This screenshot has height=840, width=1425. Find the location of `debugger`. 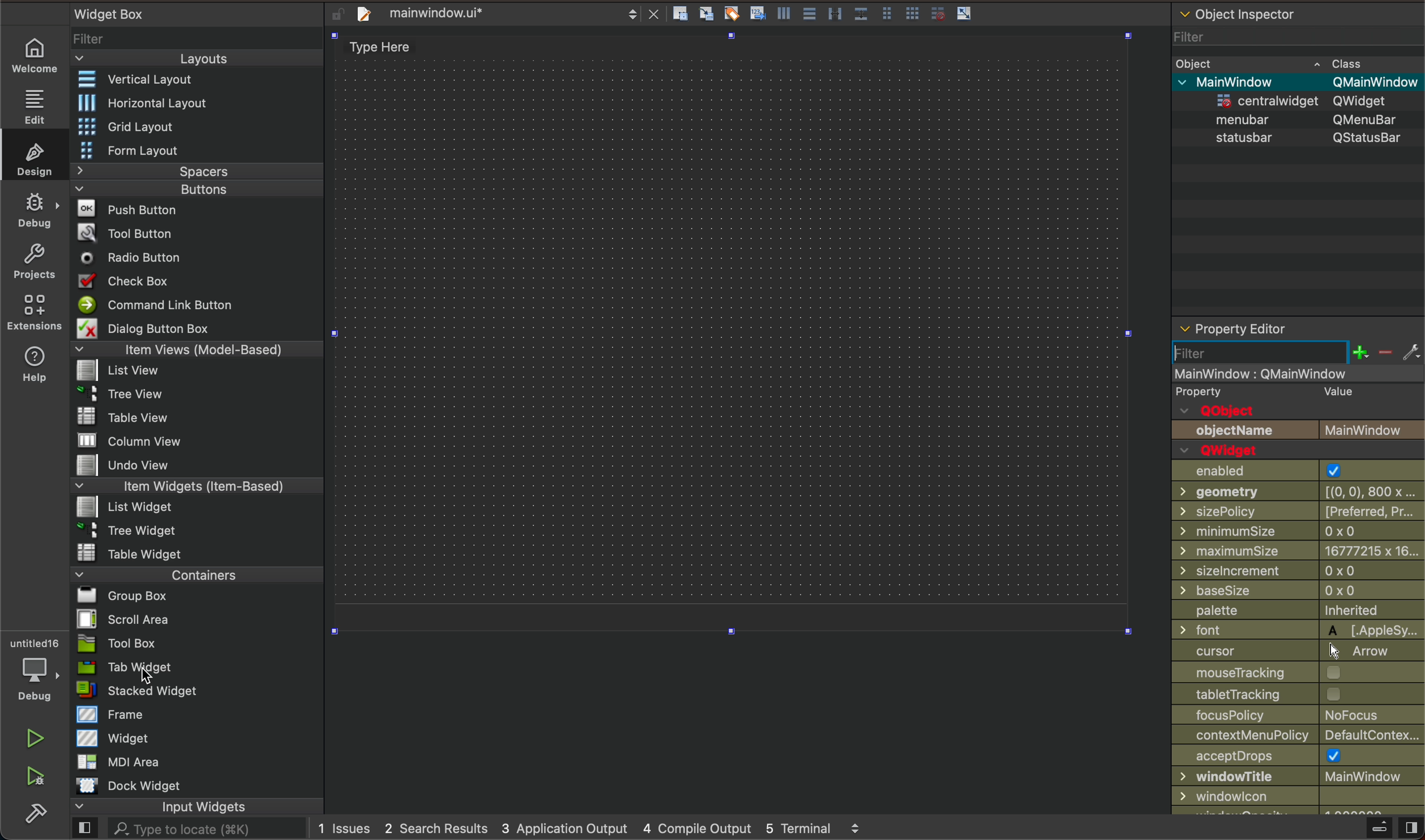

debugger is located at coordinates (32, 666).